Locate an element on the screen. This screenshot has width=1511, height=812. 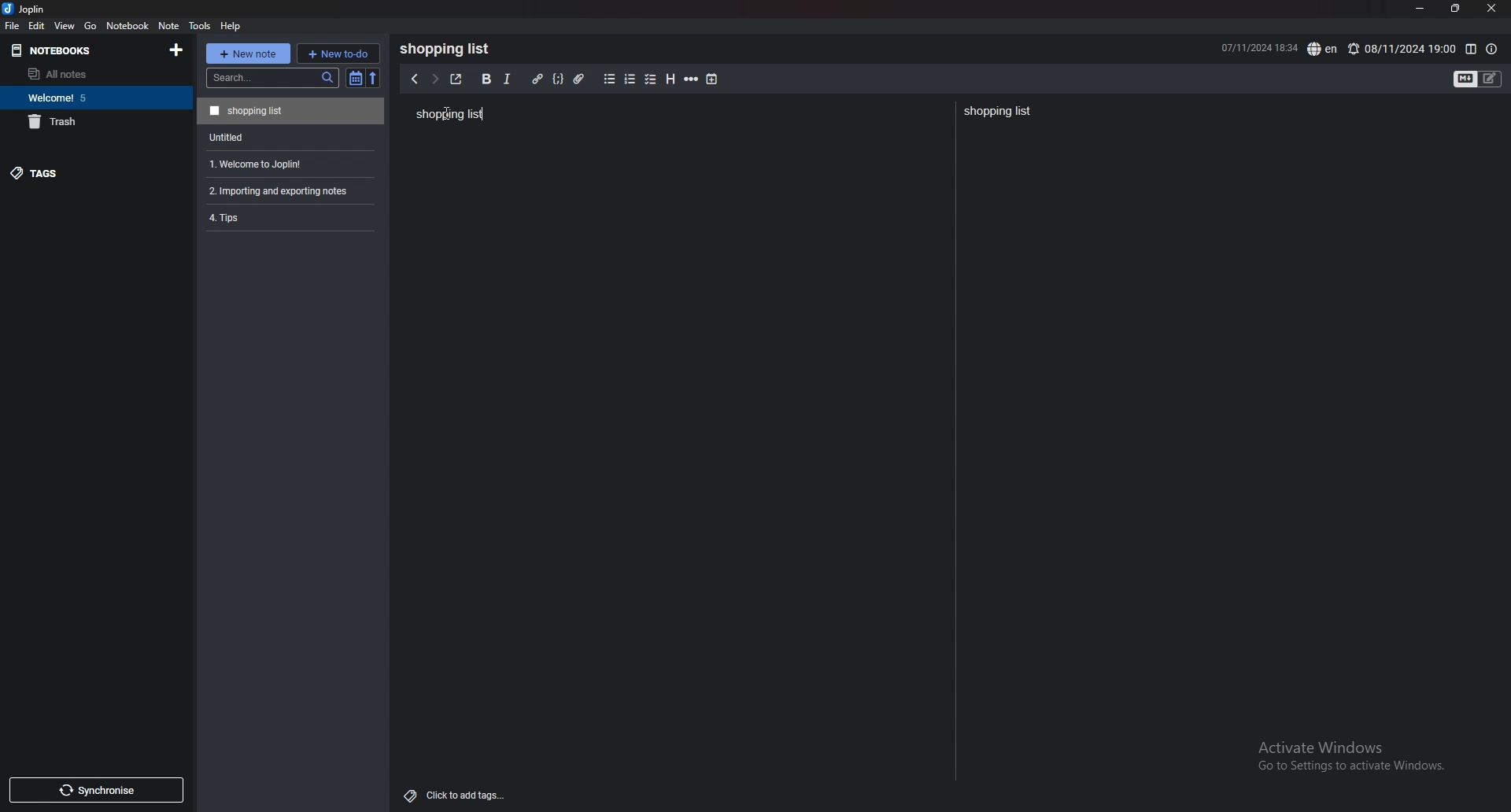
07/11/2024 1833 is located at coordinates (1258, 47).